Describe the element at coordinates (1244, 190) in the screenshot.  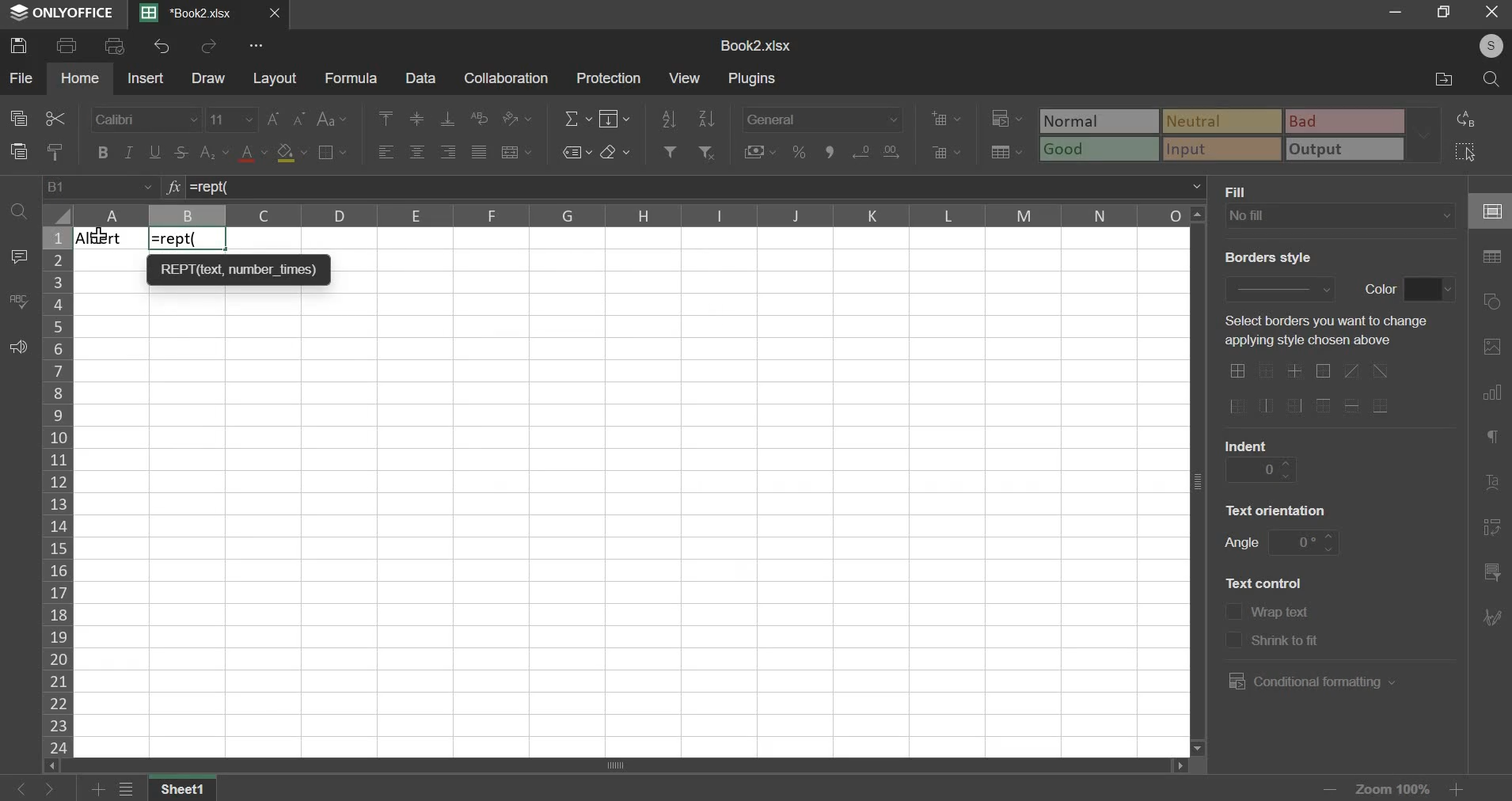
I see `FILL` at that location.